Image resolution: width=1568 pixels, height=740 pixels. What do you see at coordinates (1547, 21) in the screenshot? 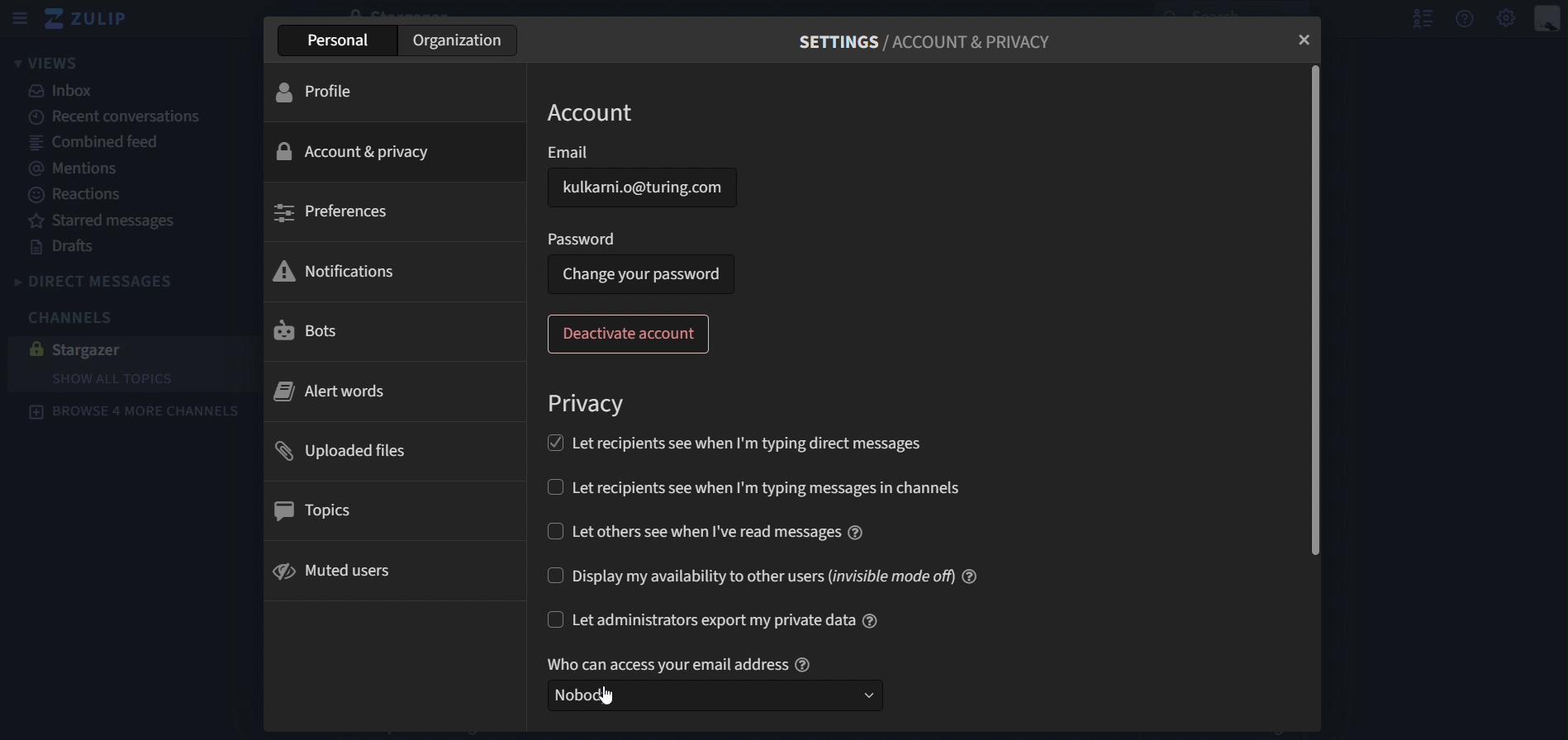
I see `personal menu` at bounding box center [1547, 21].